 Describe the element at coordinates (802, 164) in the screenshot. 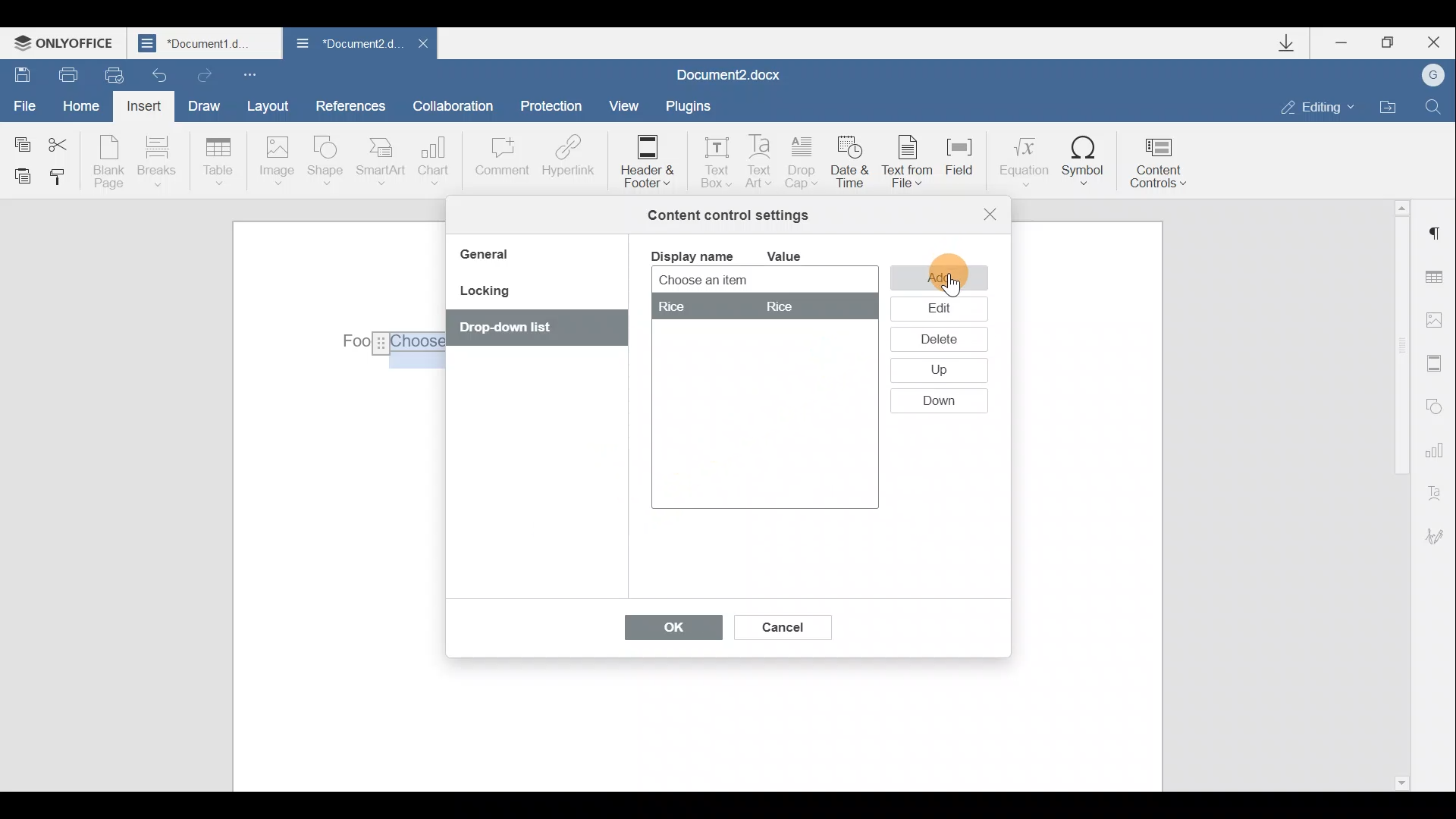

I see `Drop cap` at that location.